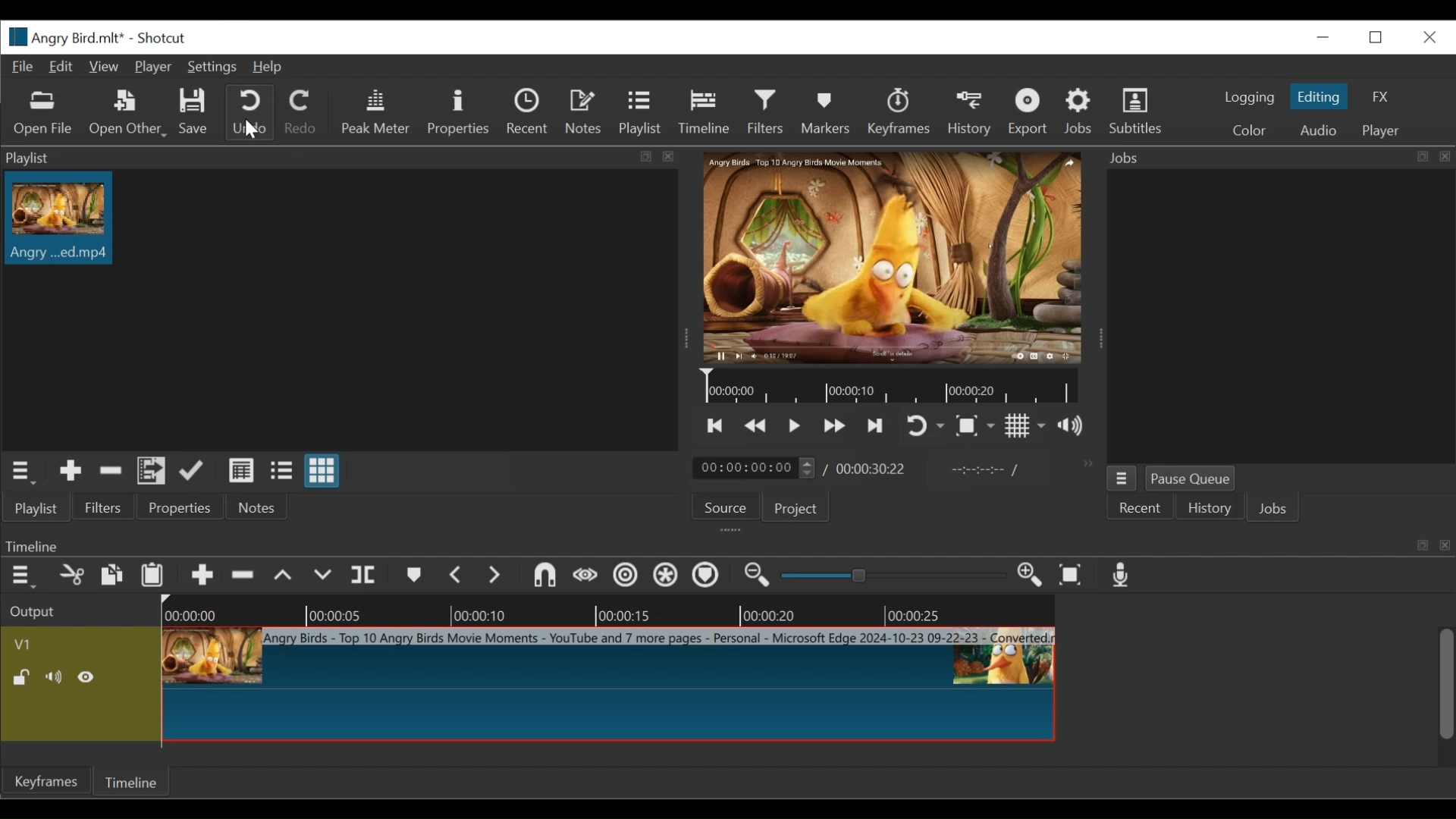  What do you see at coordinates (1378, 131) in the screenshot?
I see `player` at bounding box center [1378, 131].